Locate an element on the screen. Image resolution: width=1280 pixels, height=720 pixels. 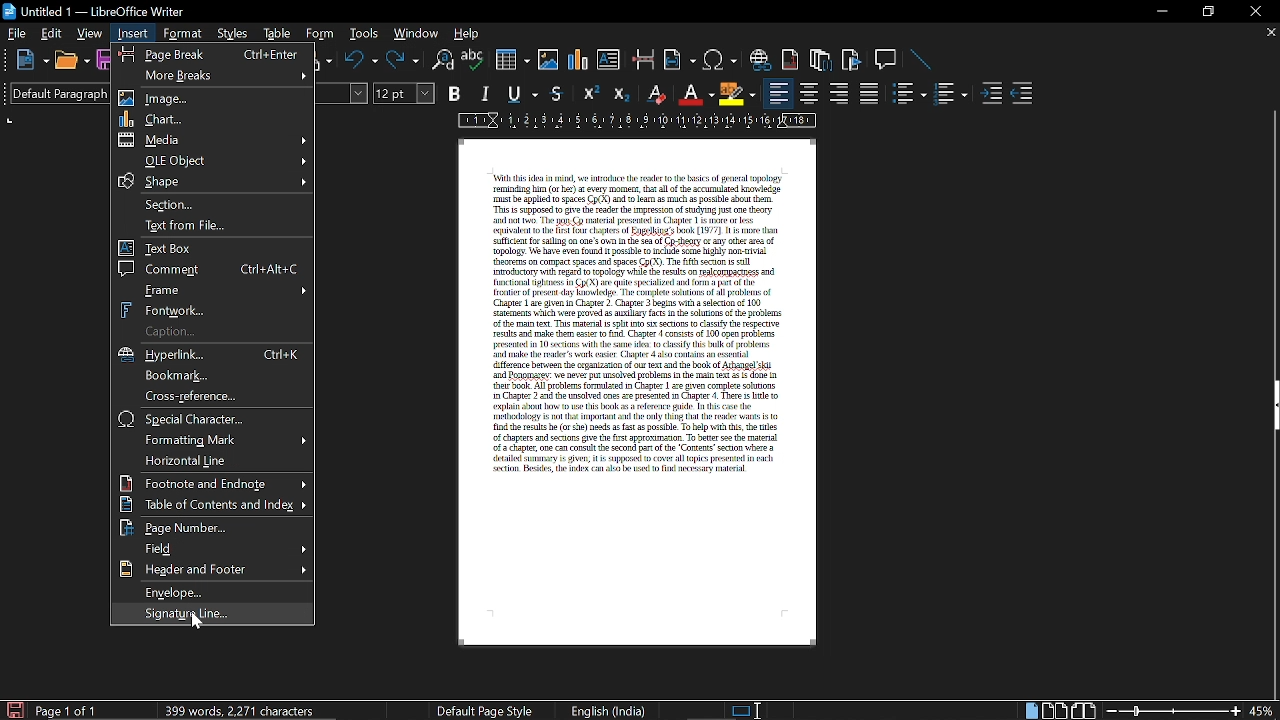
hyperlink is located at coordinates (216, 355).